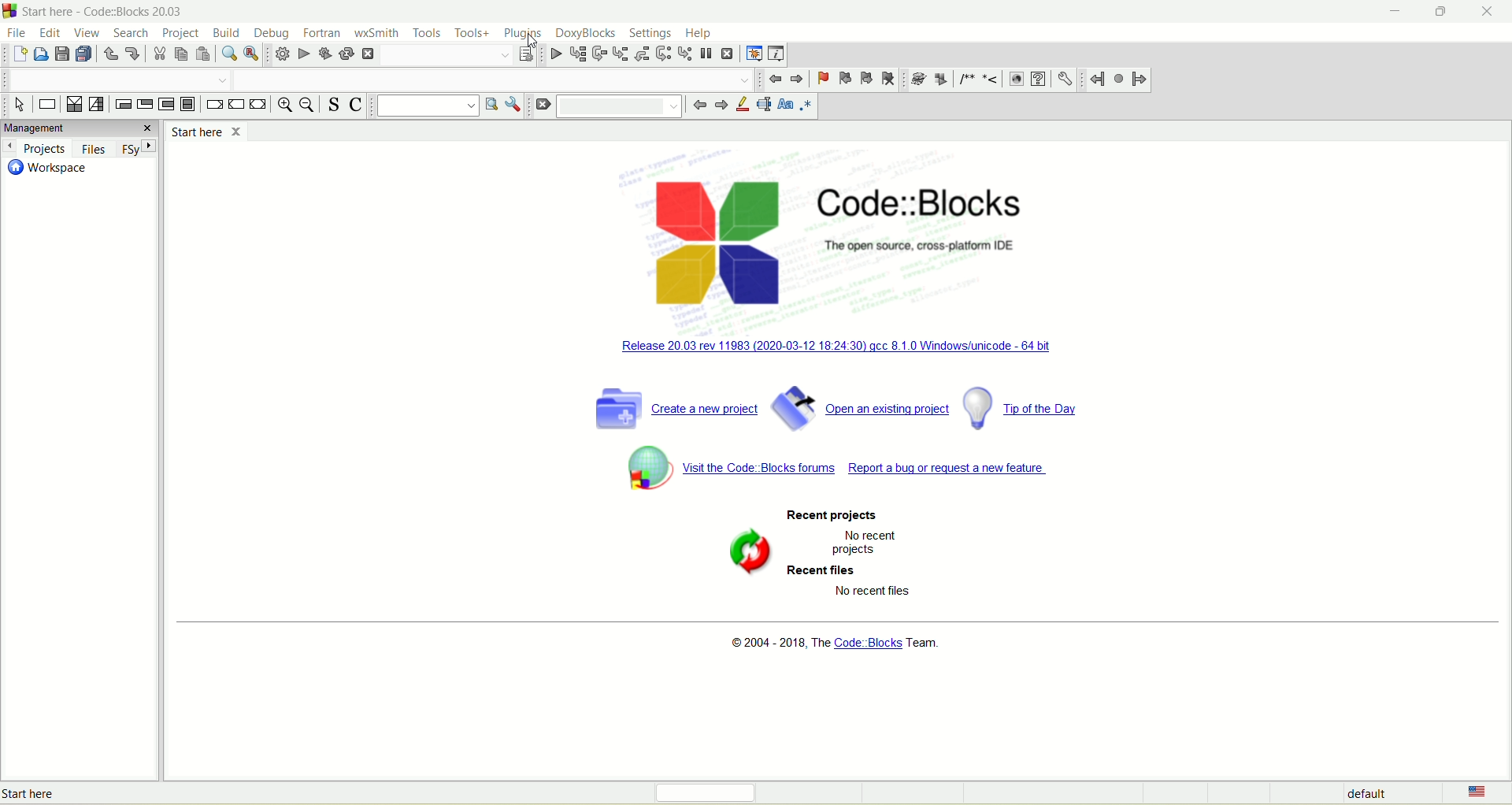  What do you see at coordinates (18, 33) in the screenshot?
I see `file` at bounding box center [18, 33].